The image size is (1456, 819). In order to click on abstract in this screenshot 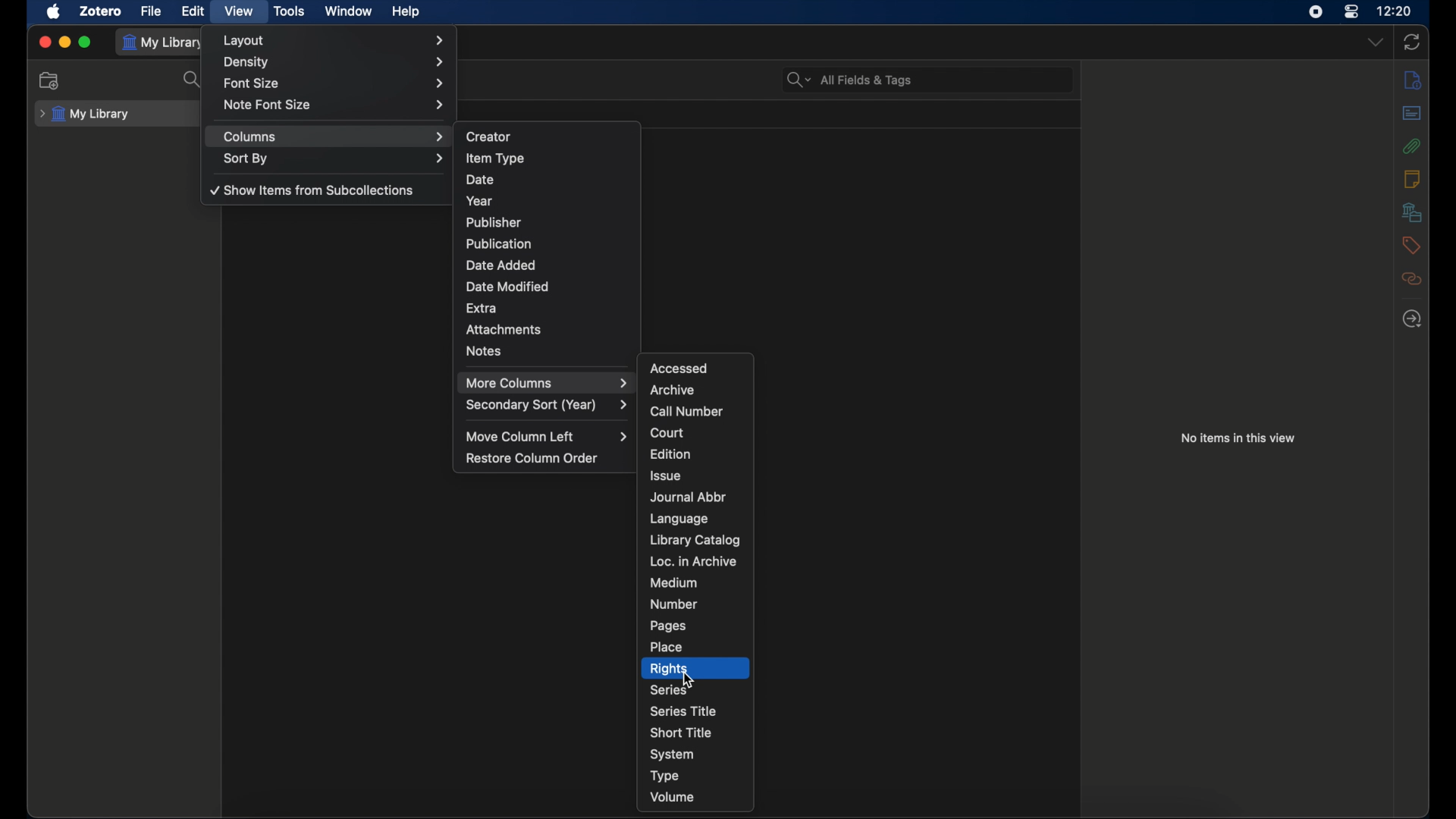, I will do `click(1411, 114)`.